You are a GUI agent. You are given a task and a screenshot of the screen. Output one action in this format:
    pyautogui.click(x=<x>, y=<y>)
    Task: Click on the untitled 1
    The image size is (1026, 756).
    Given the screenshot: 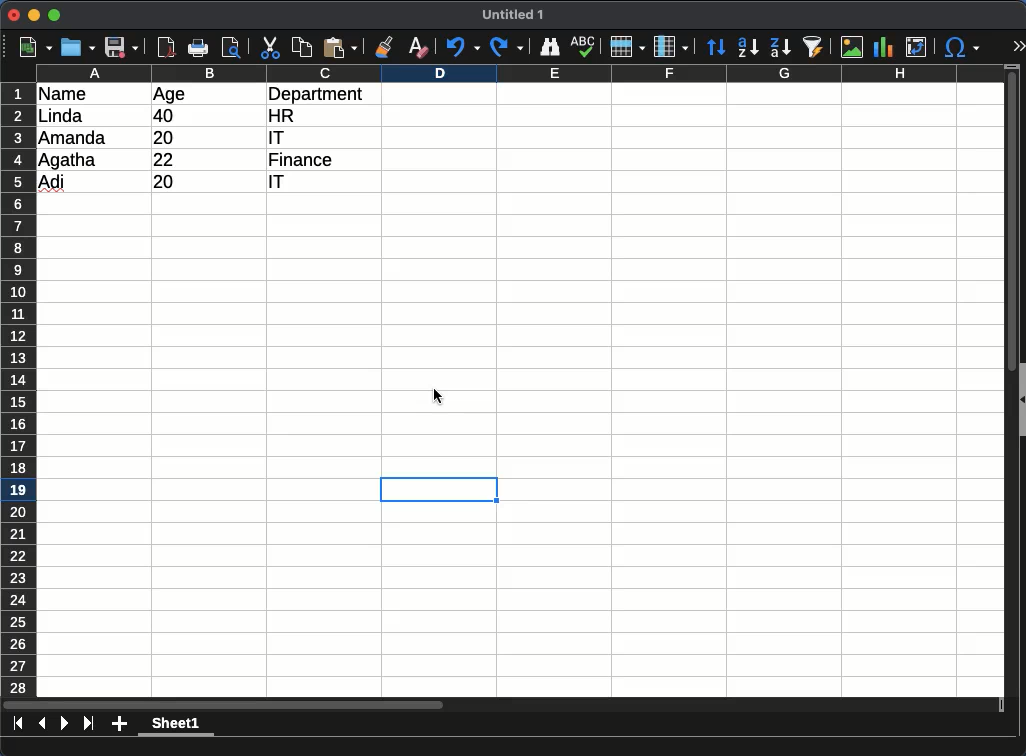 What is the action you would take?
    pyautogui.click(x=514, y=15)
    